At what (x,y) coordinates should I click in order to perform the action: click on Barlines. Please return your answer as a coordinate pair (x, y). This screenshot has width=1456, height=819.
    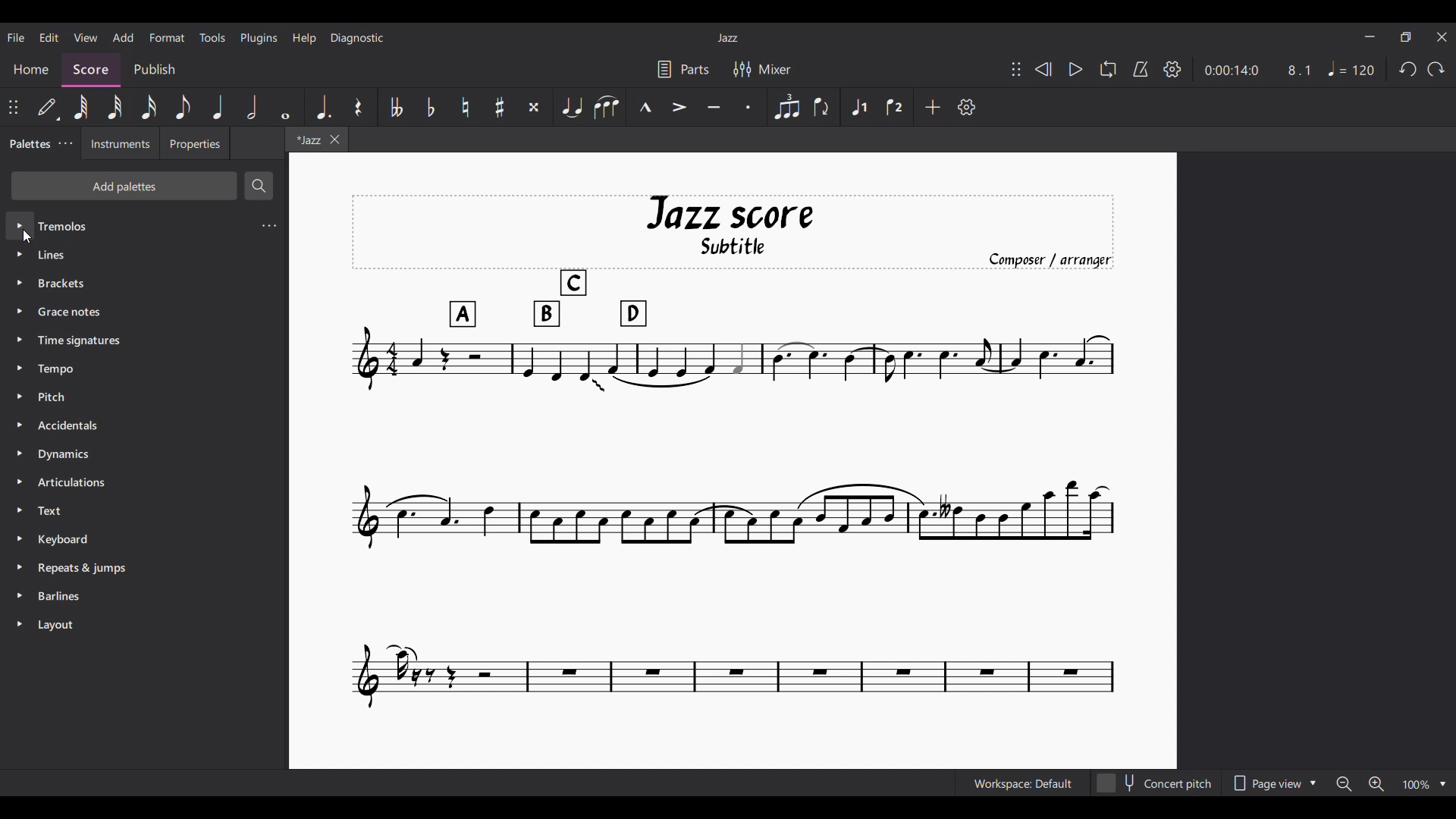
    Looking at the image, I should click on (143, 595).